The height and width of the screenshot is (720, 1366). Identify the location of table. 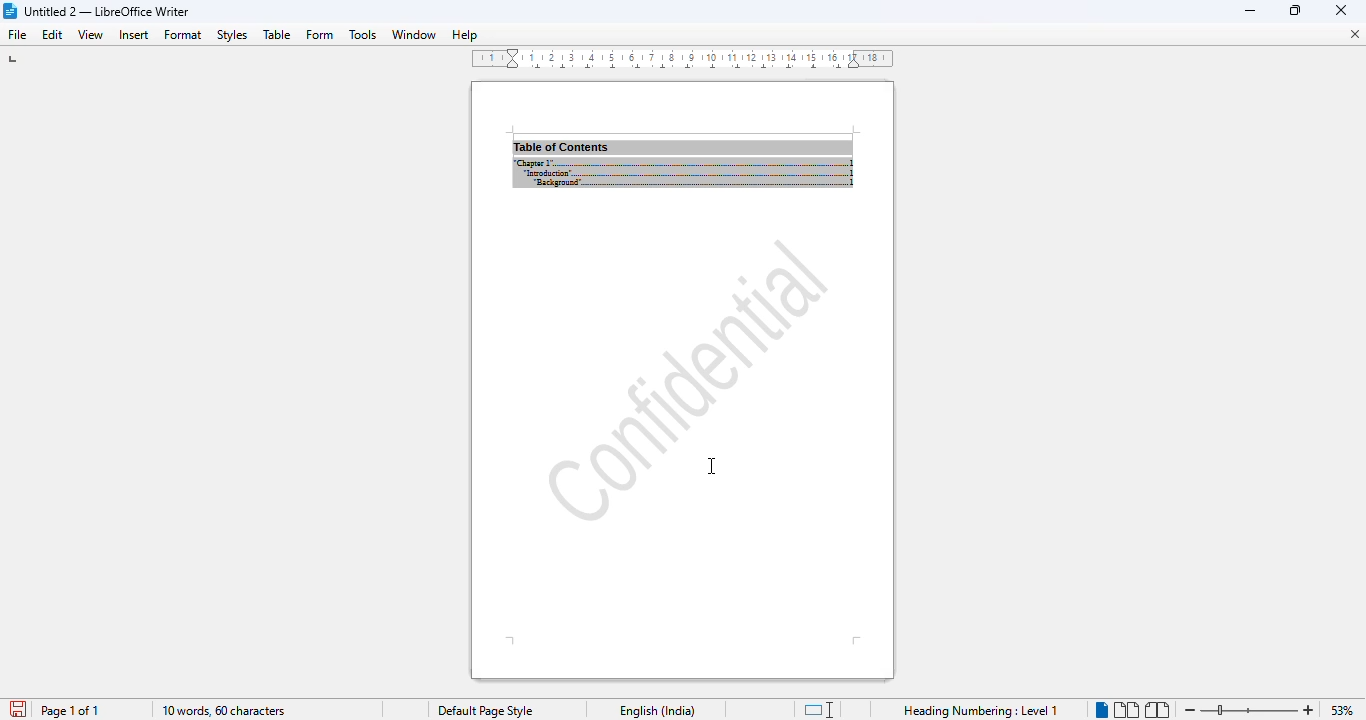
(277, 34).